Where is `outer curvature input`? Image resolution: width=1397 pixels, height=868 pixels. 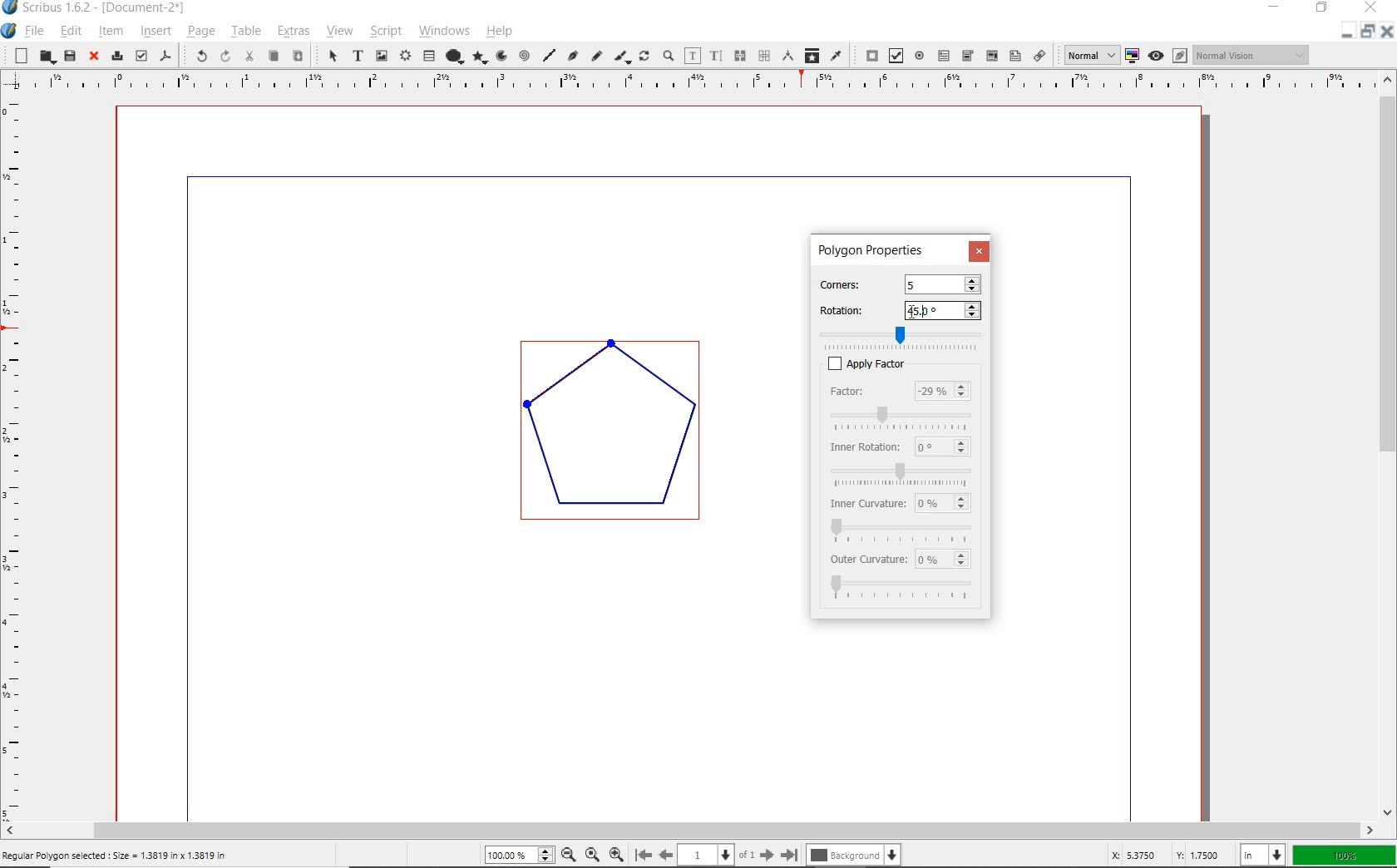
outer curvature input is located at coordinates (946, 560).